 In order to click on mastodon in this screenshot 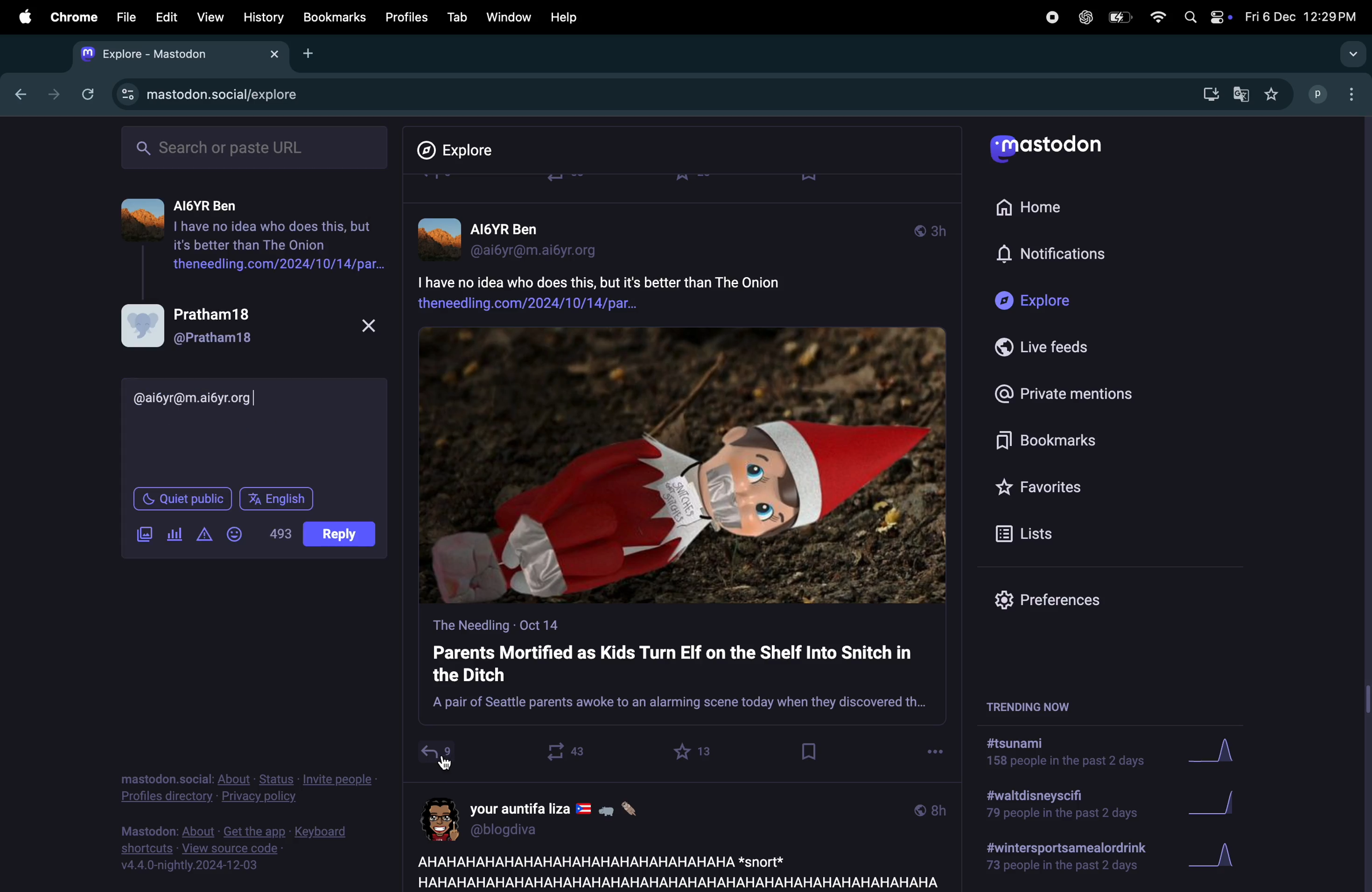, I will do `click(1051, 150)`.